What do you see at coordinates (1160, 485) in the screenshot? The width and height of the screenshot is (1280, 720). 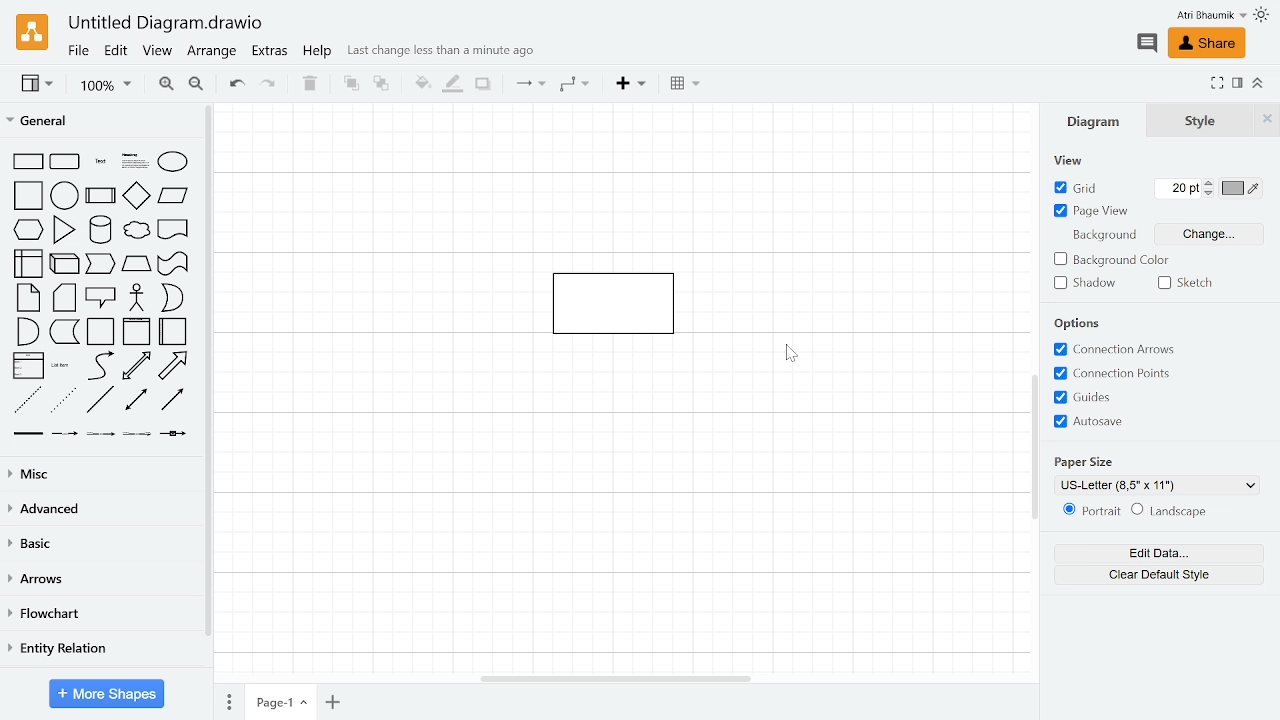 I see `Current paper size` at bounding box center [1160, 485].